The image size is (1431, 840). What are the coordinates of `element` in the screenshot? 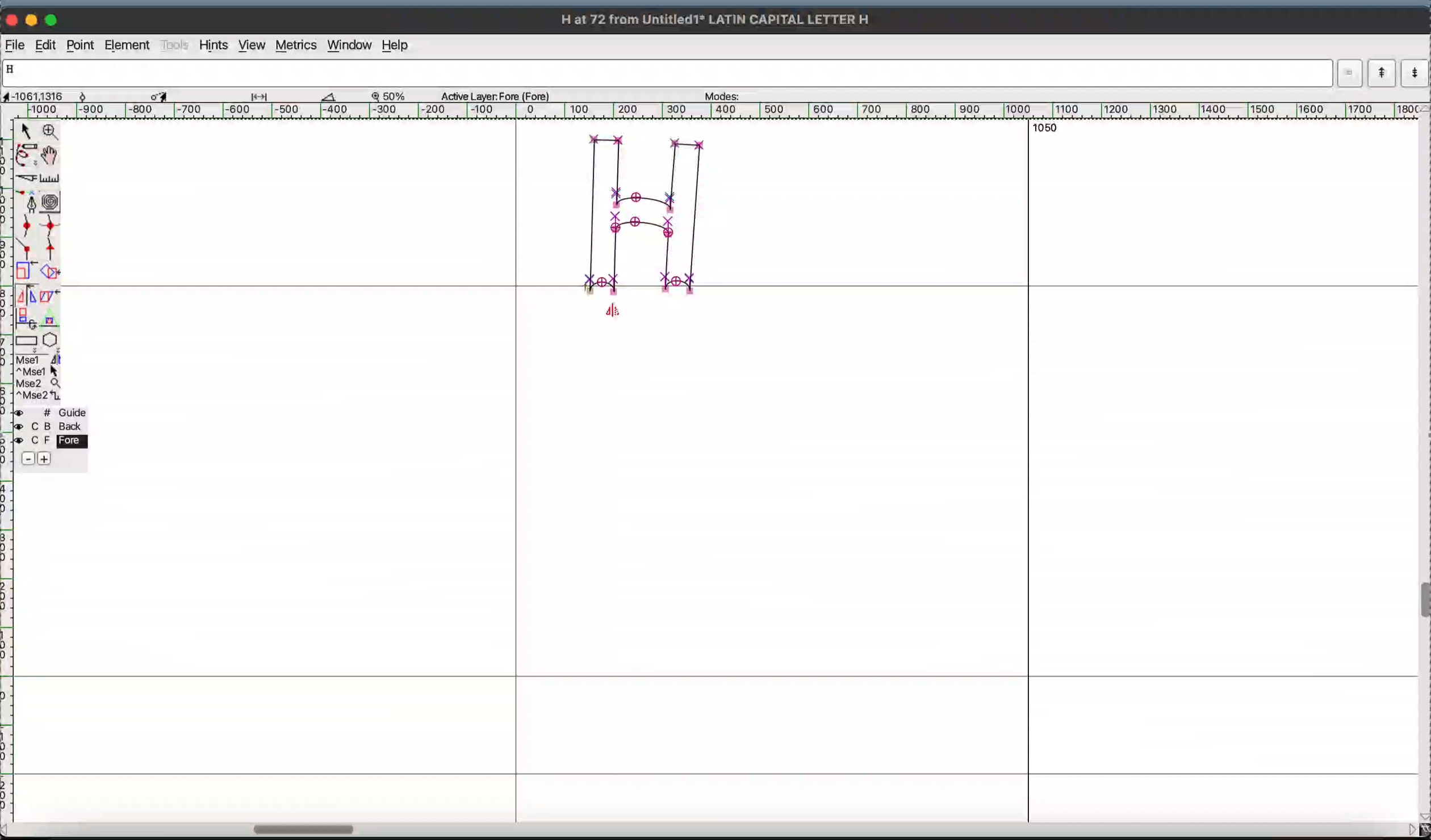 It's located at (128, 45).